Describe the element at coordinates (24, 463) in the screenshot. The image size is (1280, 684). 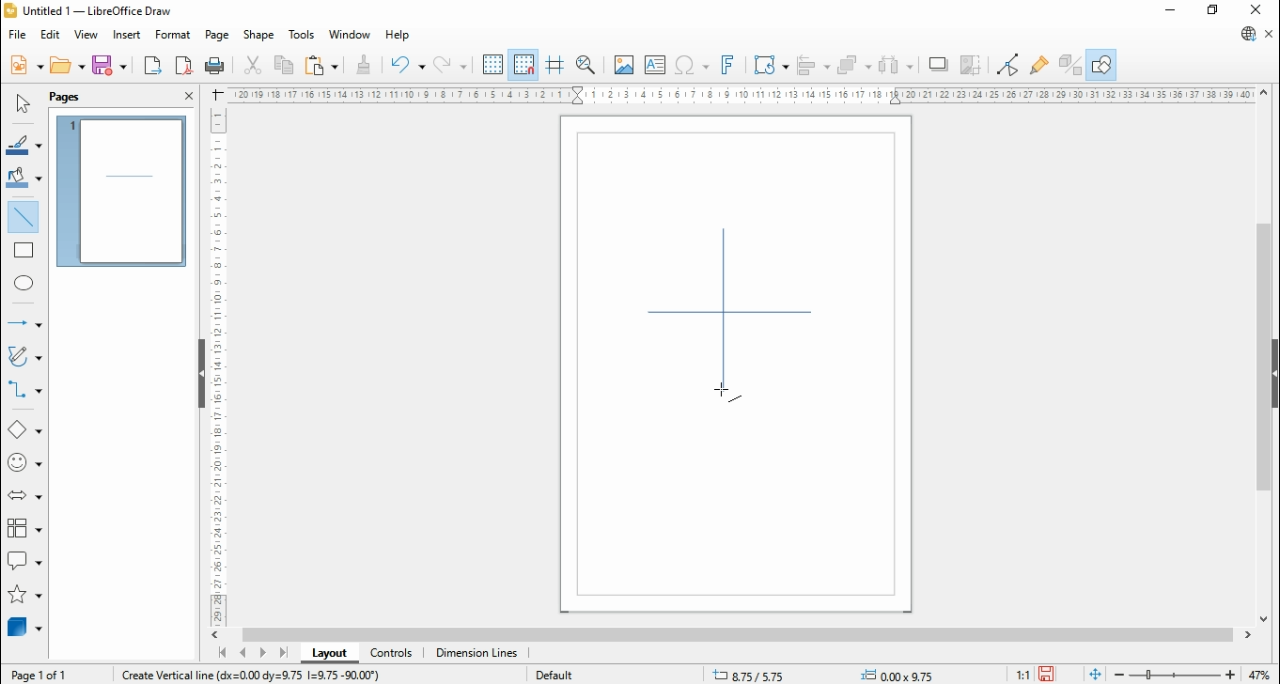
I see `symbol shapes` at that location.